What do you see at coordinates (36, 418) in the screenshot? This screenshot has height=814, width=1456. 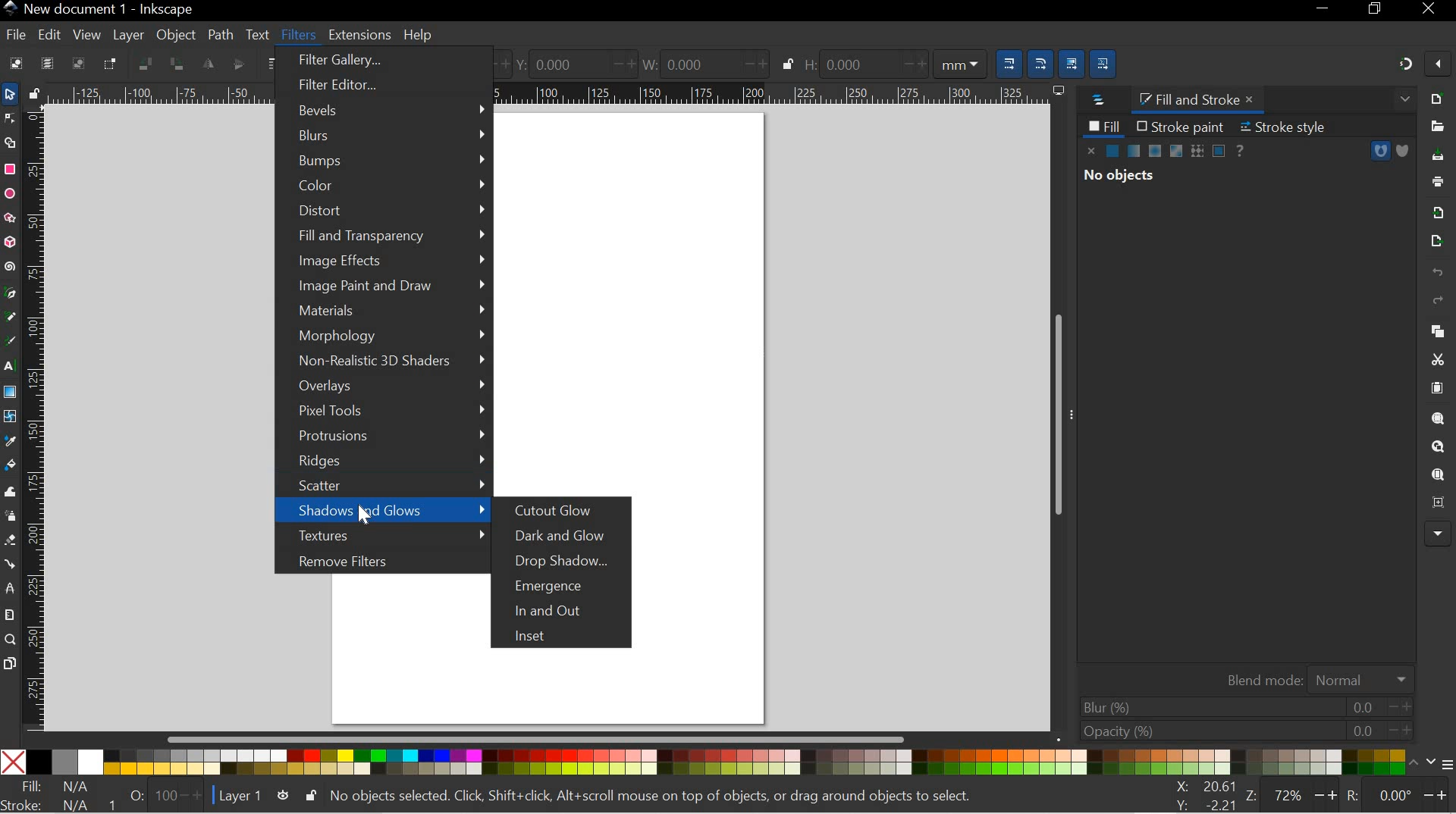 I see `RULER` at bounding box center [36, 418].